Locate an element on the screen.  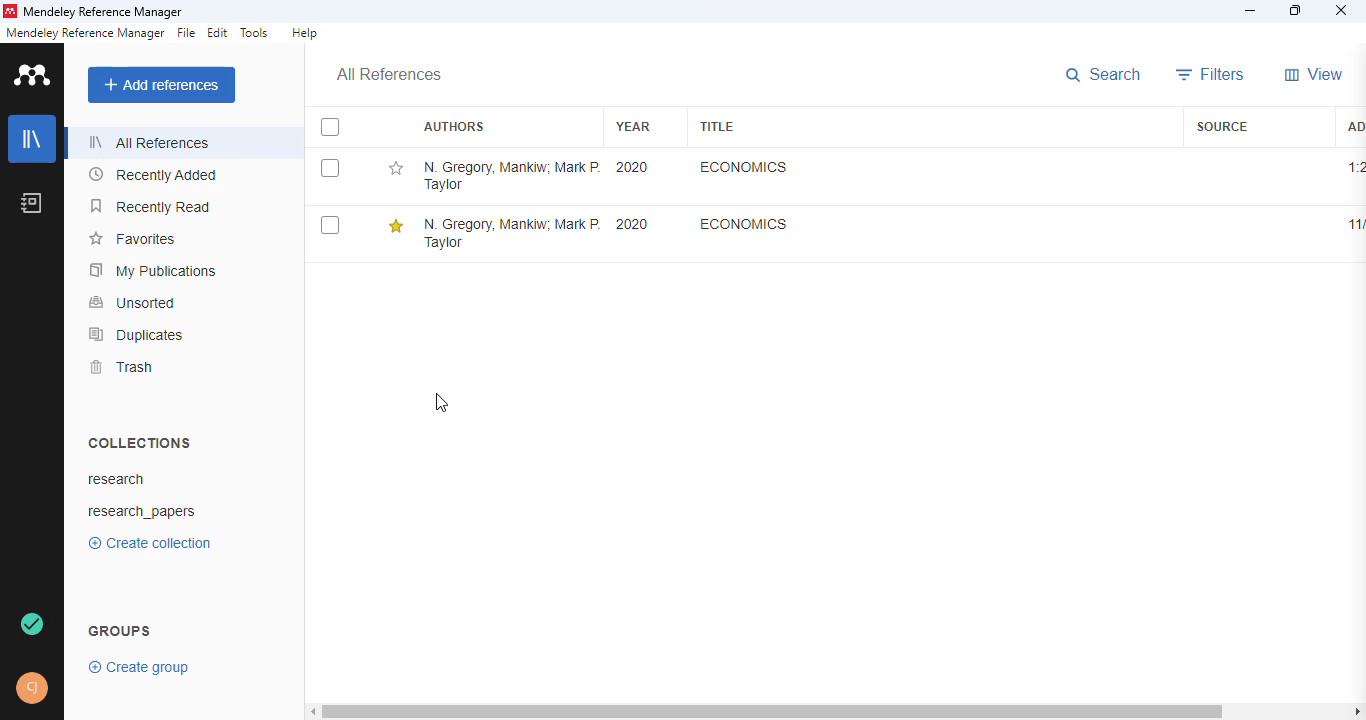
economics is located at coordinates (744, 167).